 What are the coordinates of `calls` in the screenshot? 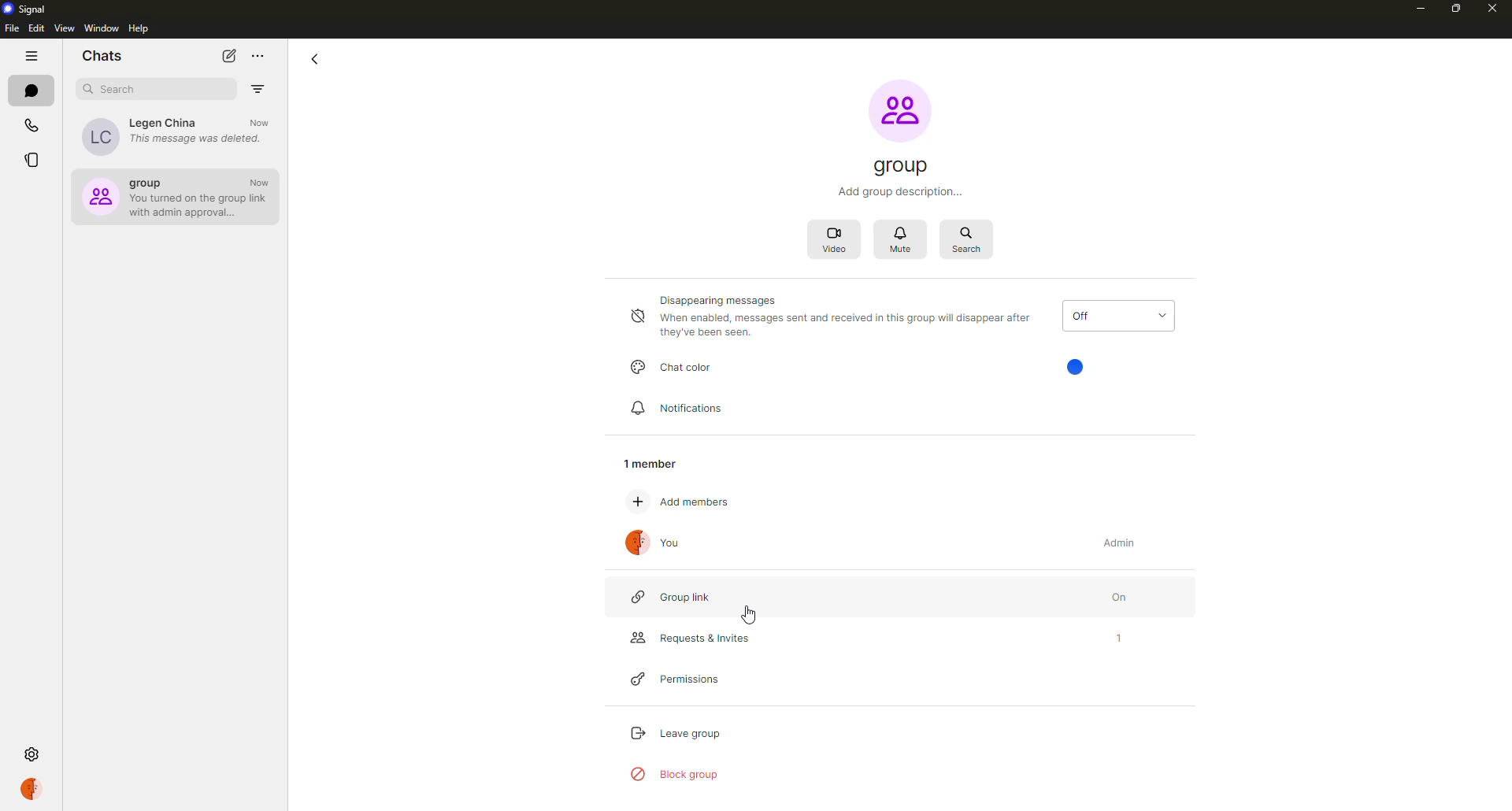 It's located at (33, 126).